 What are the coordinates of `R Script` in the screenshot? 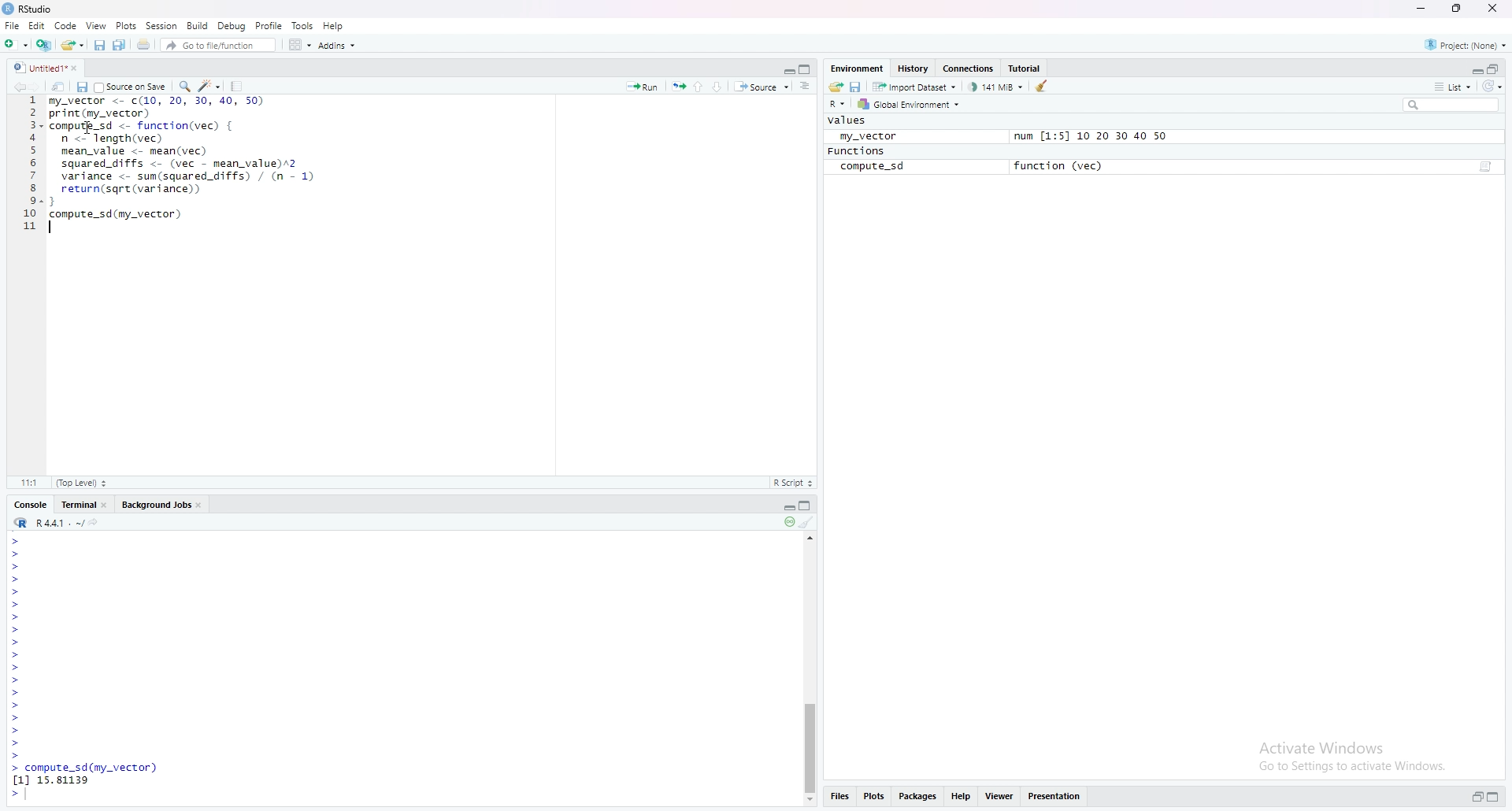 It's located at (792, 482).